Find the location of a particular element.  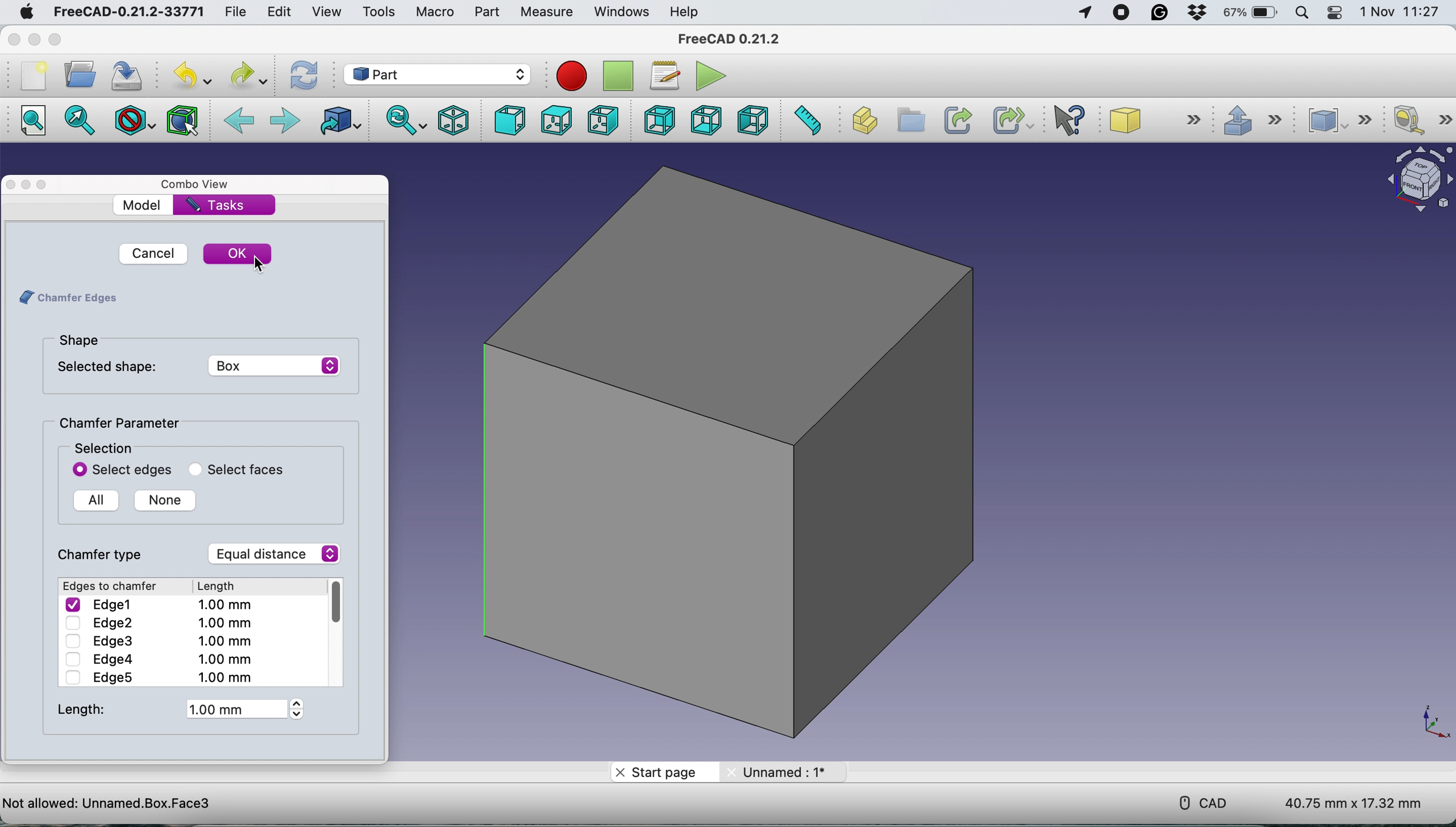

select edges is located at coordinates (124, 471).